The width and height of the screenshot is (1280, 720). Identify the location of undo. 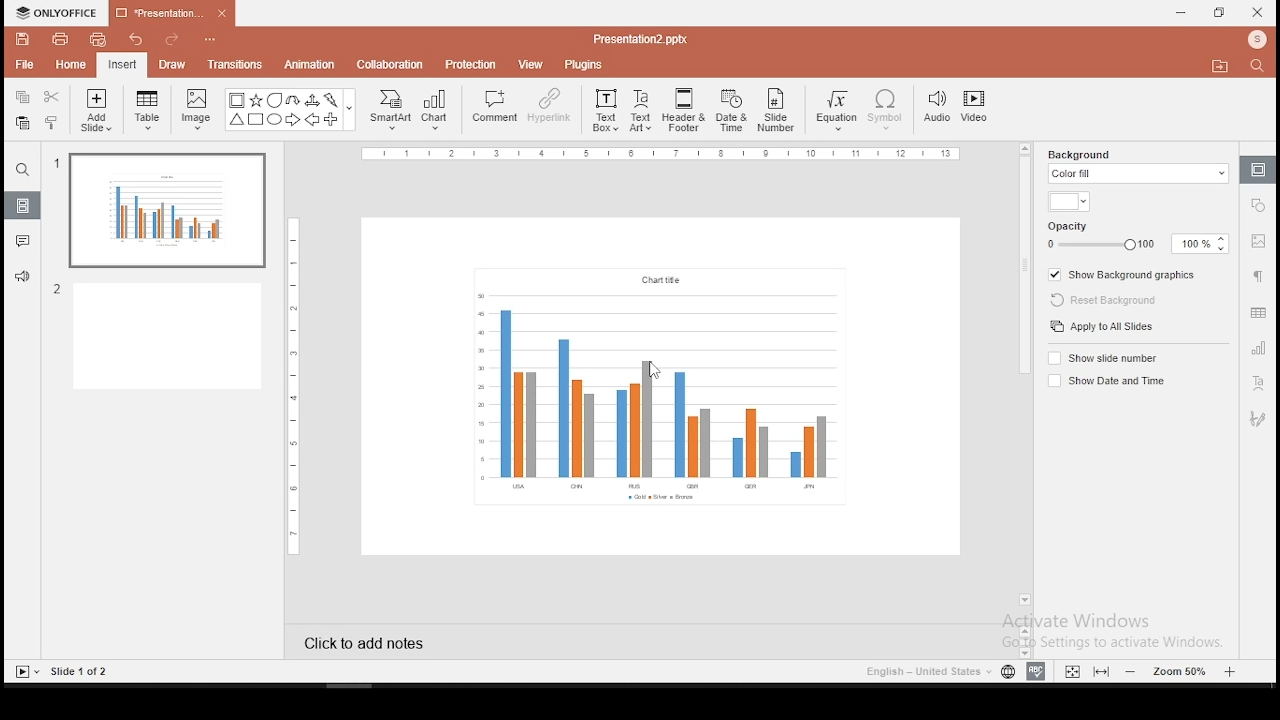
(134, 38).